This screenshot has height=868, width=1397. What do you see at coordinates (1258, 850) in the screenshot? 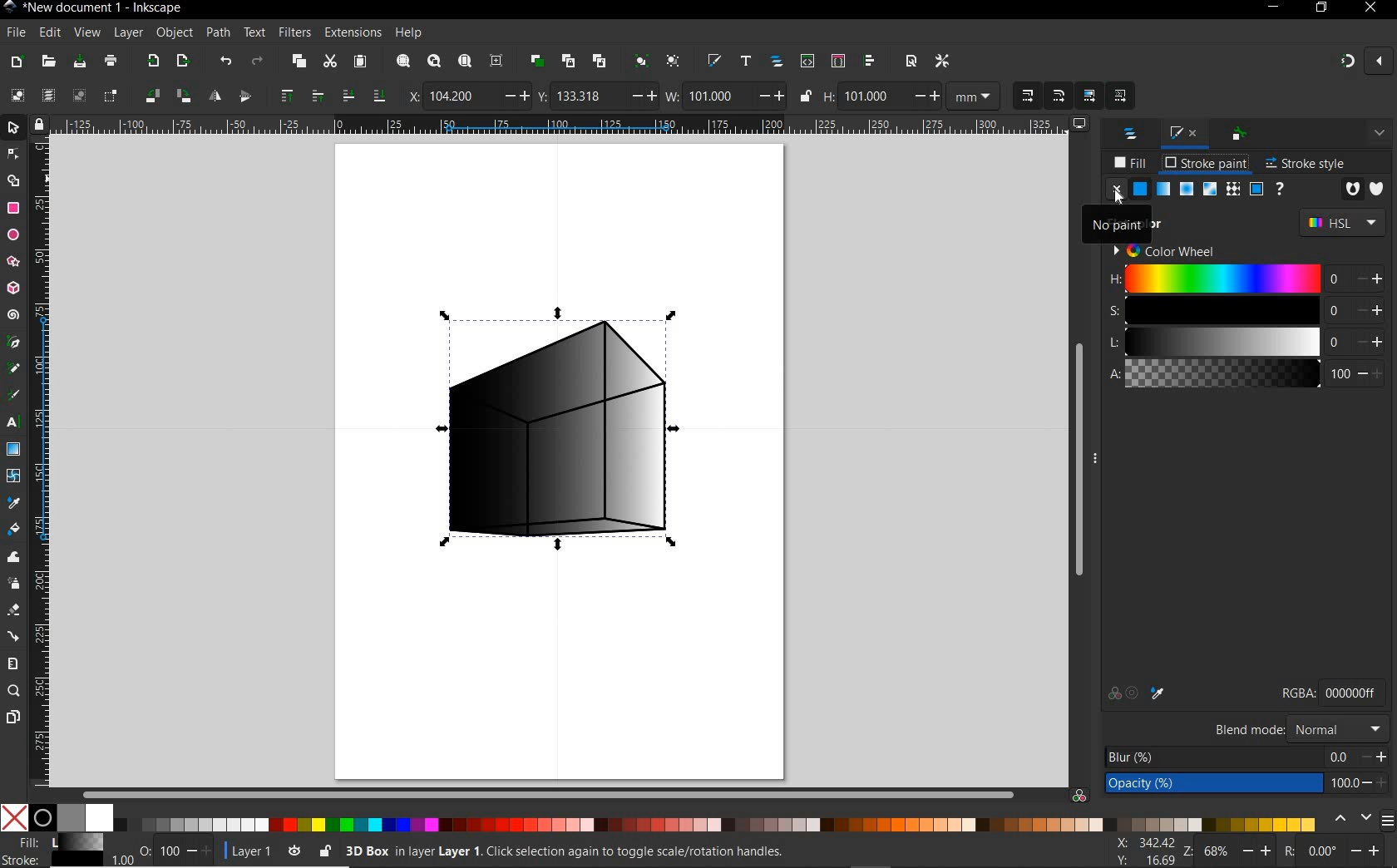
I see `increase/decrease` at bounding box center [1258, 850].